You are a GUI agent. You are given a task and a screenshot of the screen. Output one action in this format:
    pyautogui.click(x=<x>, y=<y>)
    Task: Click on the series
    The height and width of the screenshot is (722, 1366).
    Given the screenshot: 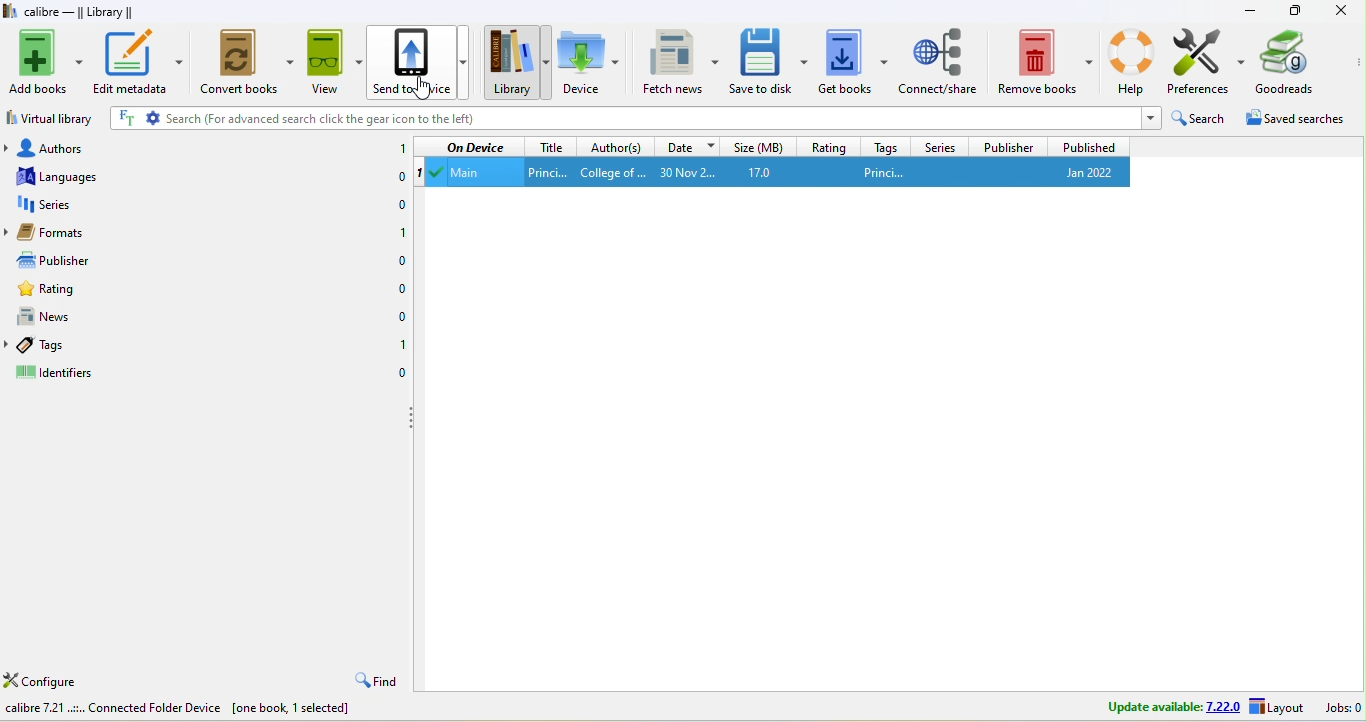 What is the action you would take?
    pyautogui.click(x=181, y=204)
    